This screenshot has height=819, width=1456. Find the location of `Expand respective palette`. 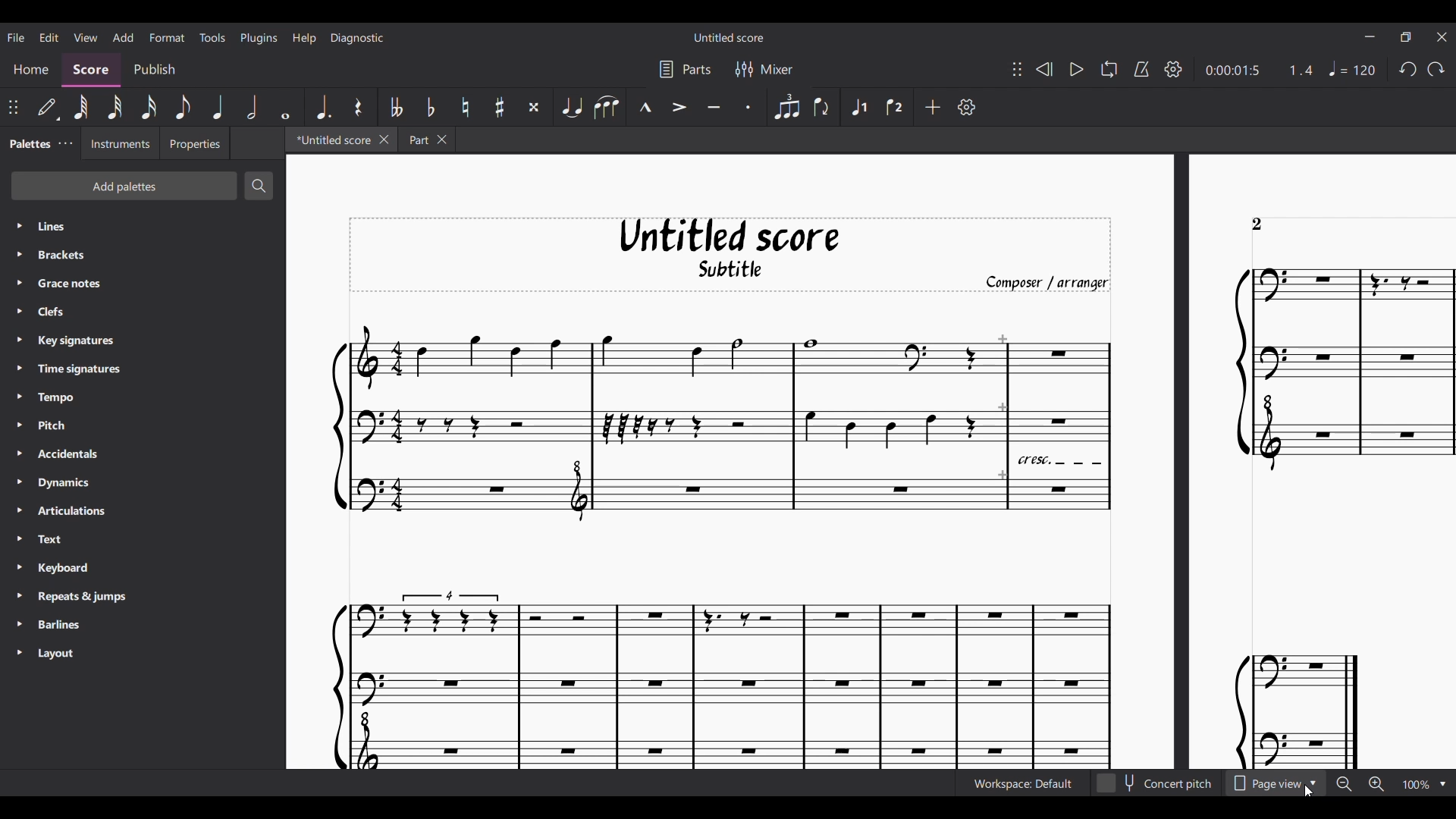

Expand respective palette is located at coordinates (18, 440).